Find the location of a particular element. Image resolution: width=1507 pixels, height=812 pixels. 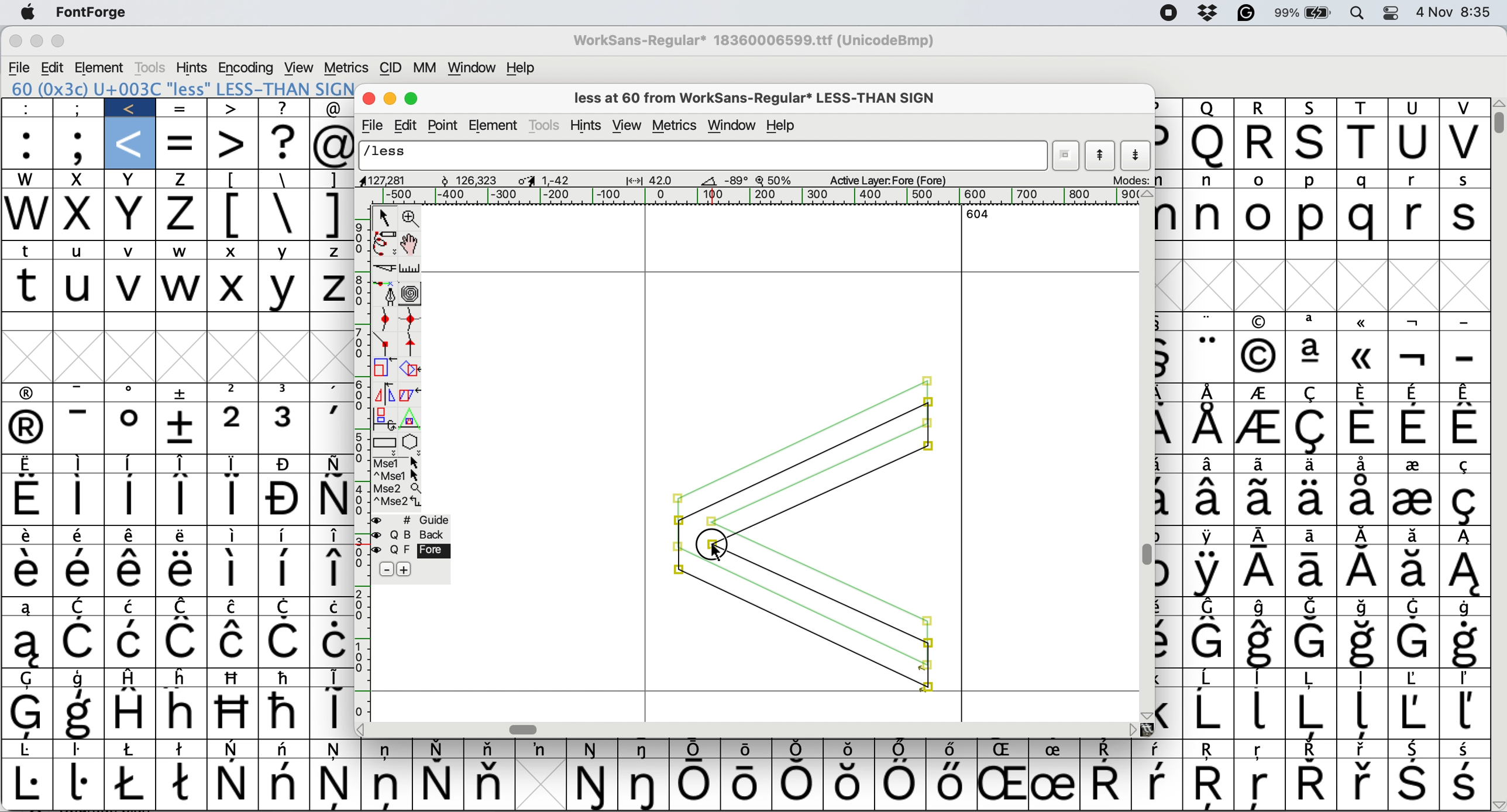

Symbol is located at coordinates (182, 536).